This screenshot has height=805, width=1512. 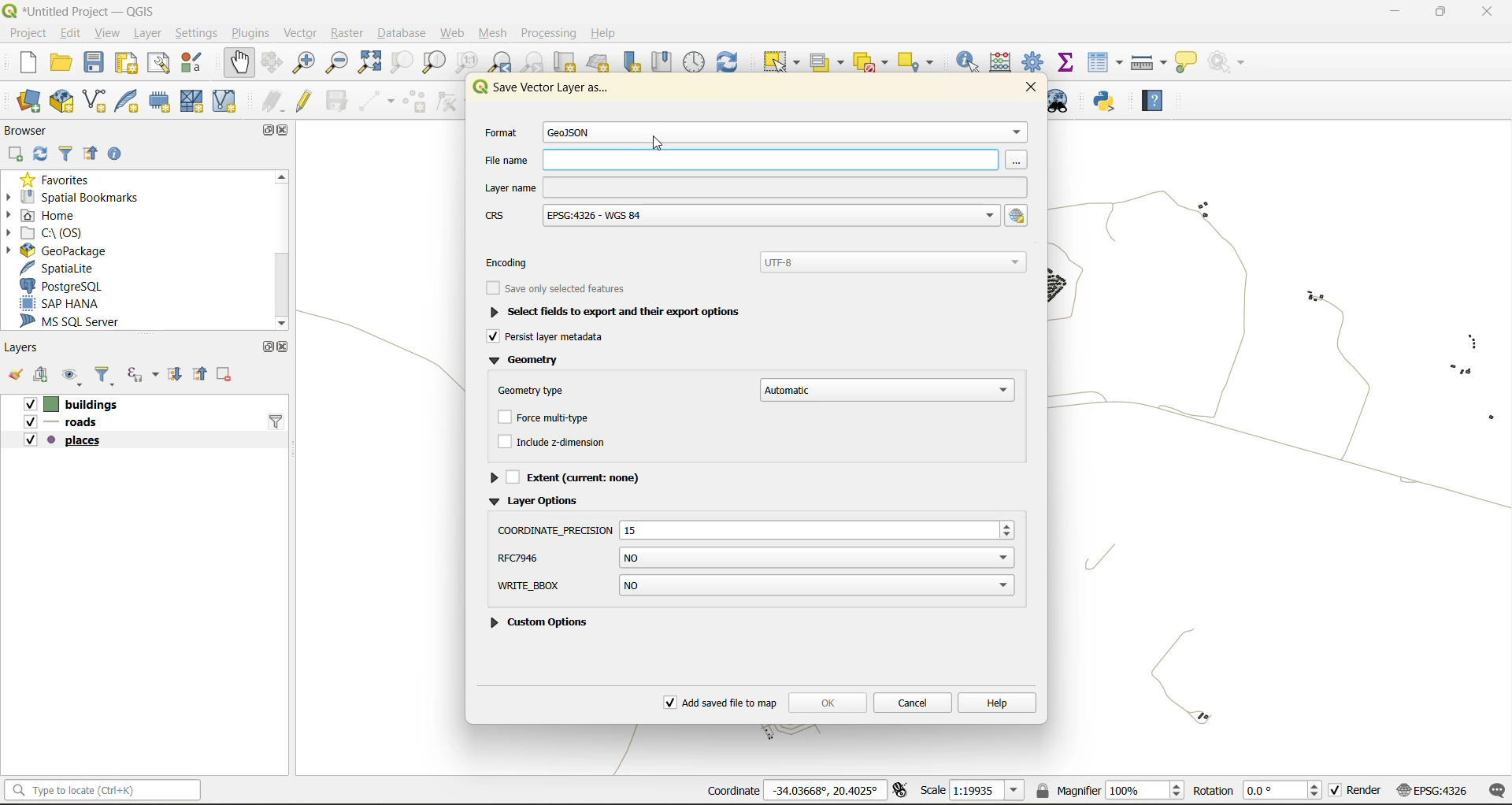 What do you see at coordinates (495, 35) in the screenshot?
I see `mesh` at bounding box center [495, 35].